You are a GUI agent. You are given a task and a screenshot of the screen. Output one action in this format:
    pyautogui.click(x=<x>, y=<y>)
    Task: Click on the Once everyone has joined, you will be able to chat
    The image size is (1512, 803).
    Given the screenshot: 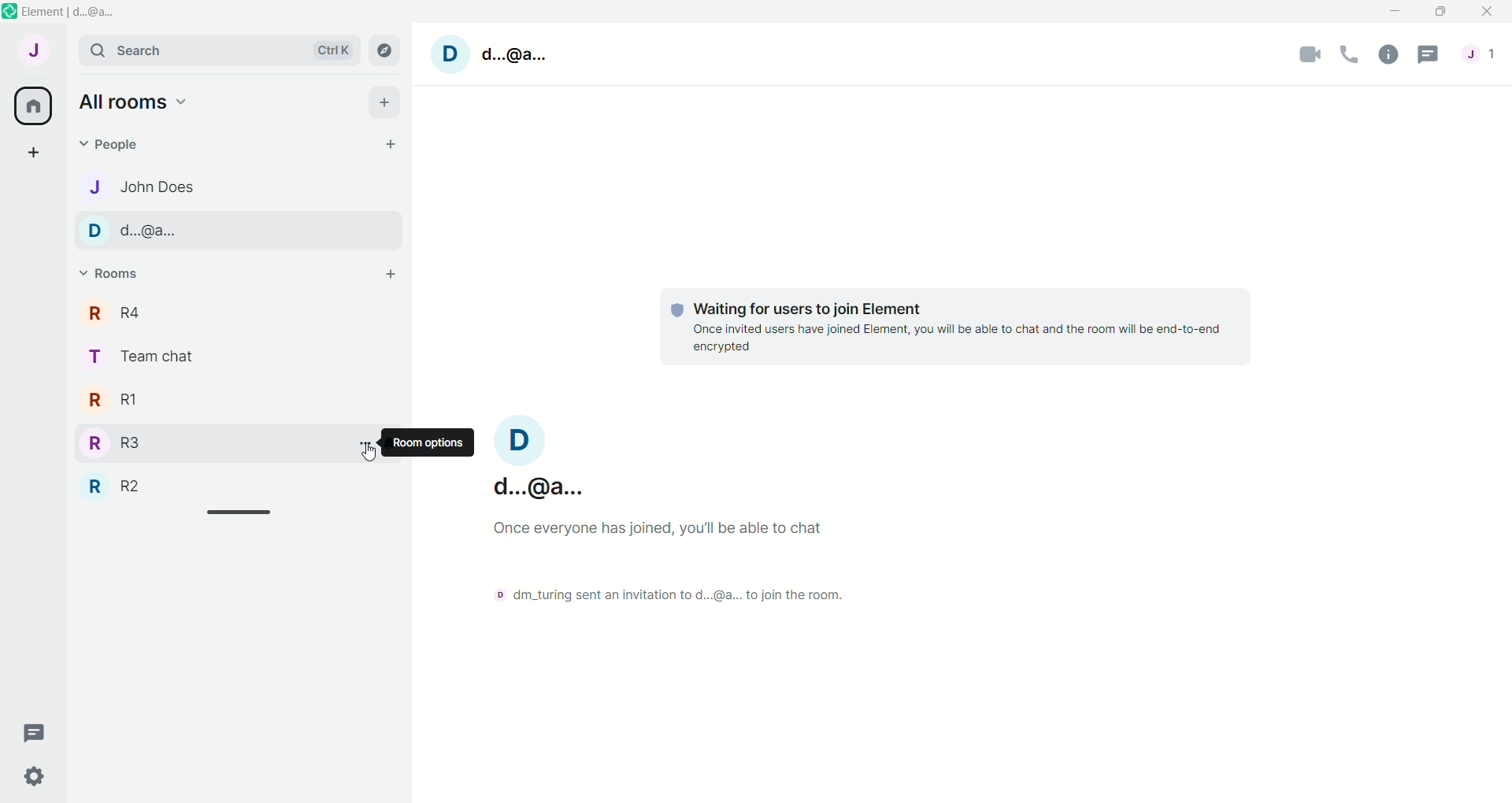 What is the action you would take?
    pyautogui.click(x=654, y=529)
    